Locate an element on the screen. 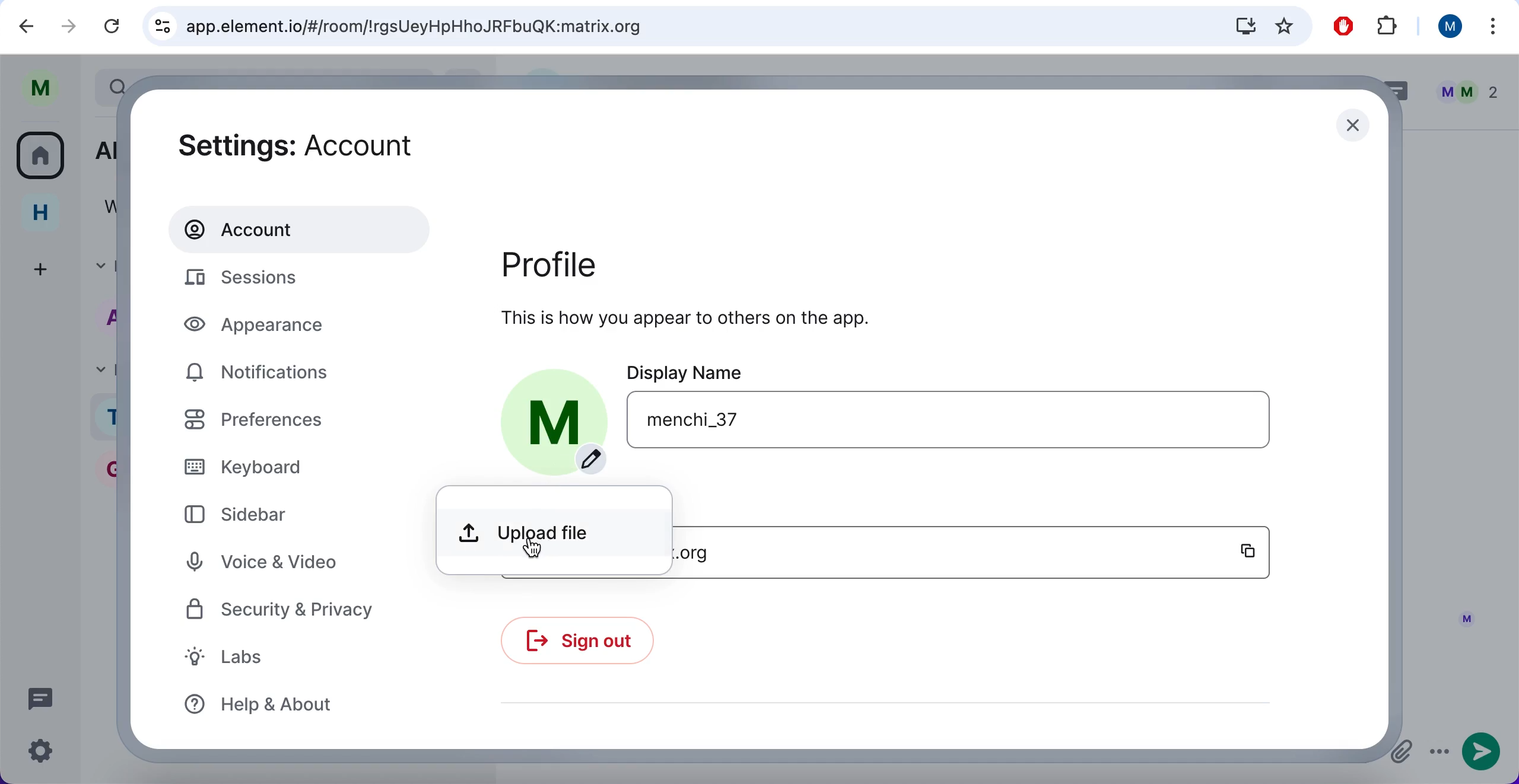 The width and height of the screenshot is (1519, 784). send is located at coordinates (1482, 754).